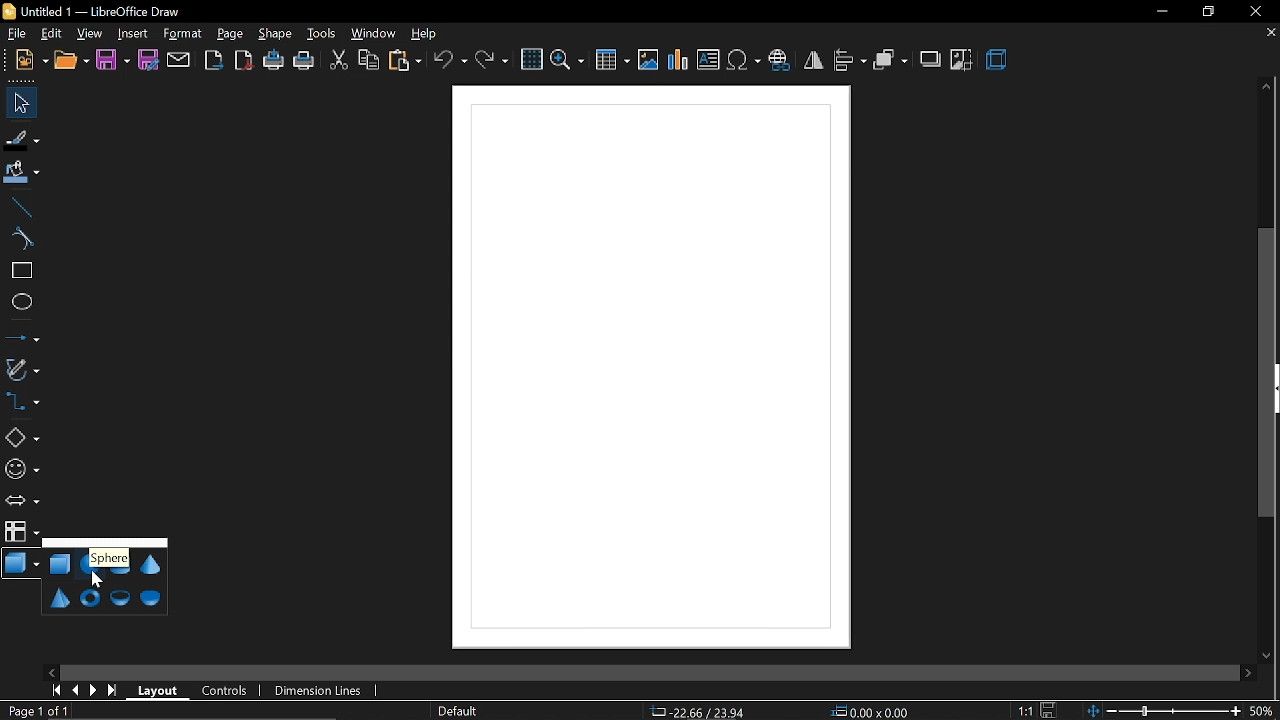 This screenshot has height=720, width=1280. I want to click on move right, so click(1250, 672).